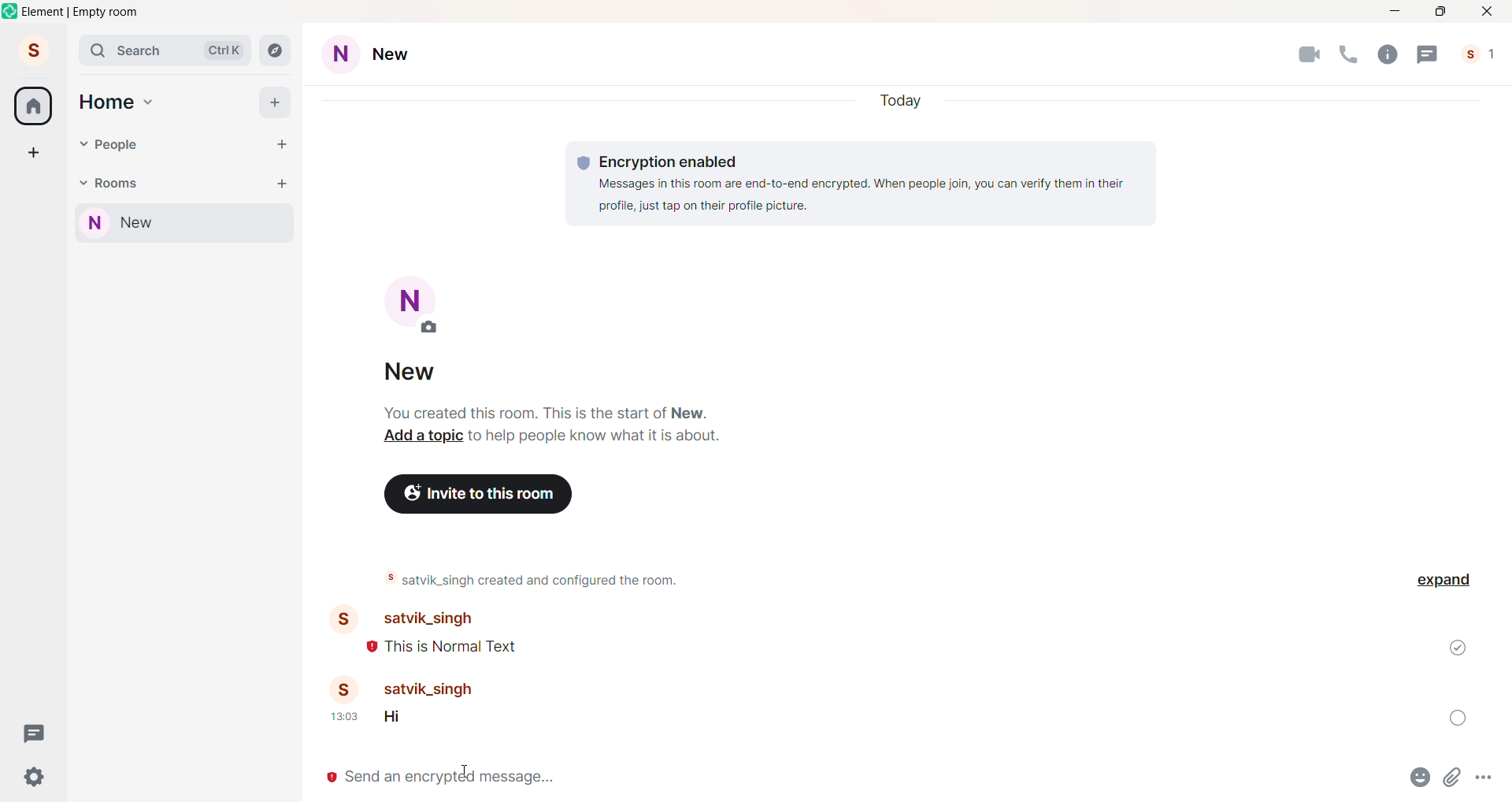 This screenshot has width=1512, height=802. Describe the element at coordinates (1428, 54) in the screenshot. I see `Threads` at that location.